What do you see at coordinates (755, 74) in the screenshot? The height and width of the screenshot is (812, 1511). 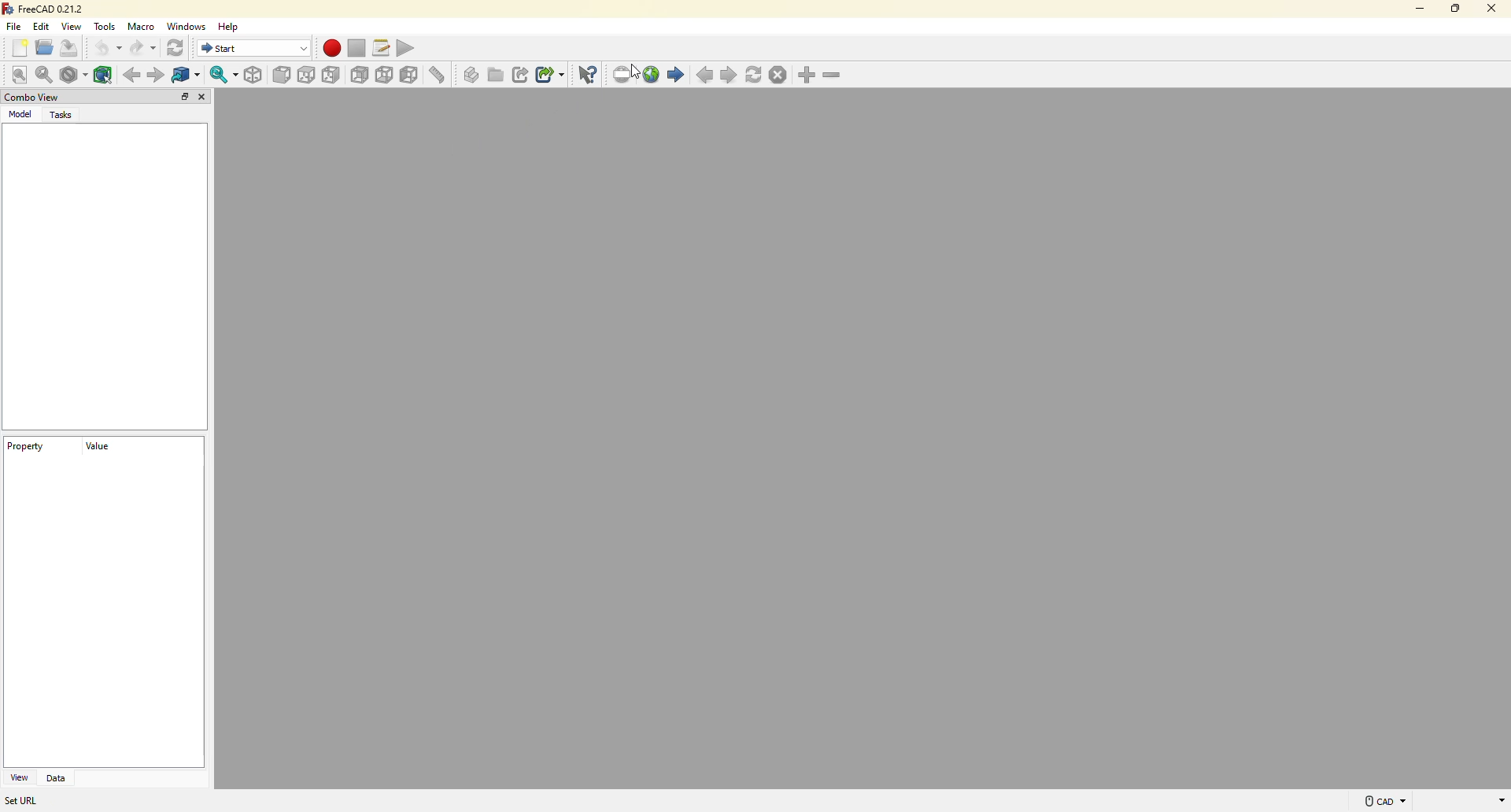 I see `refresh` at bounding box center [755, 74].